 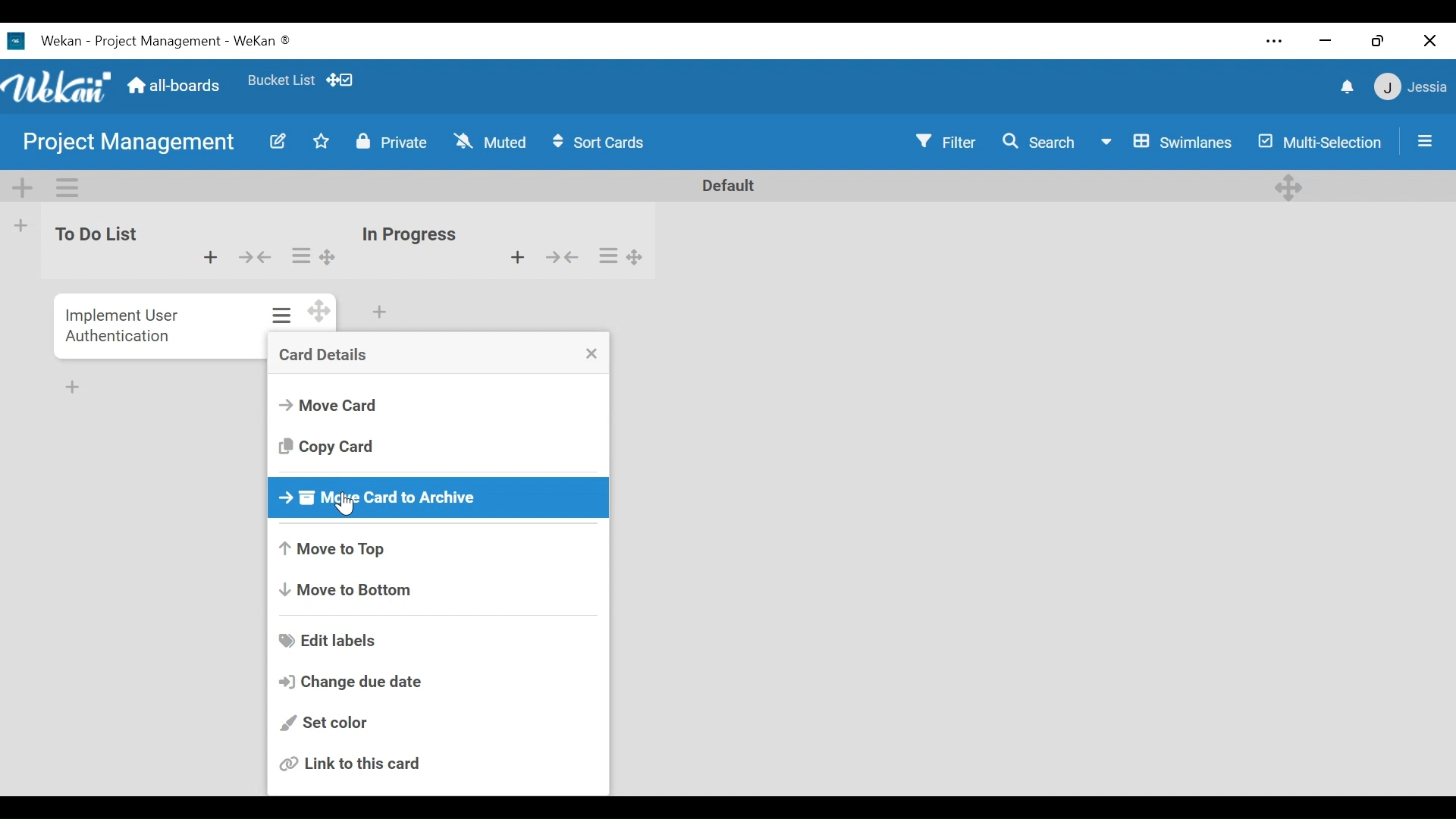 I want to click on Desktop drag handles, so click(x=1290, y=186).